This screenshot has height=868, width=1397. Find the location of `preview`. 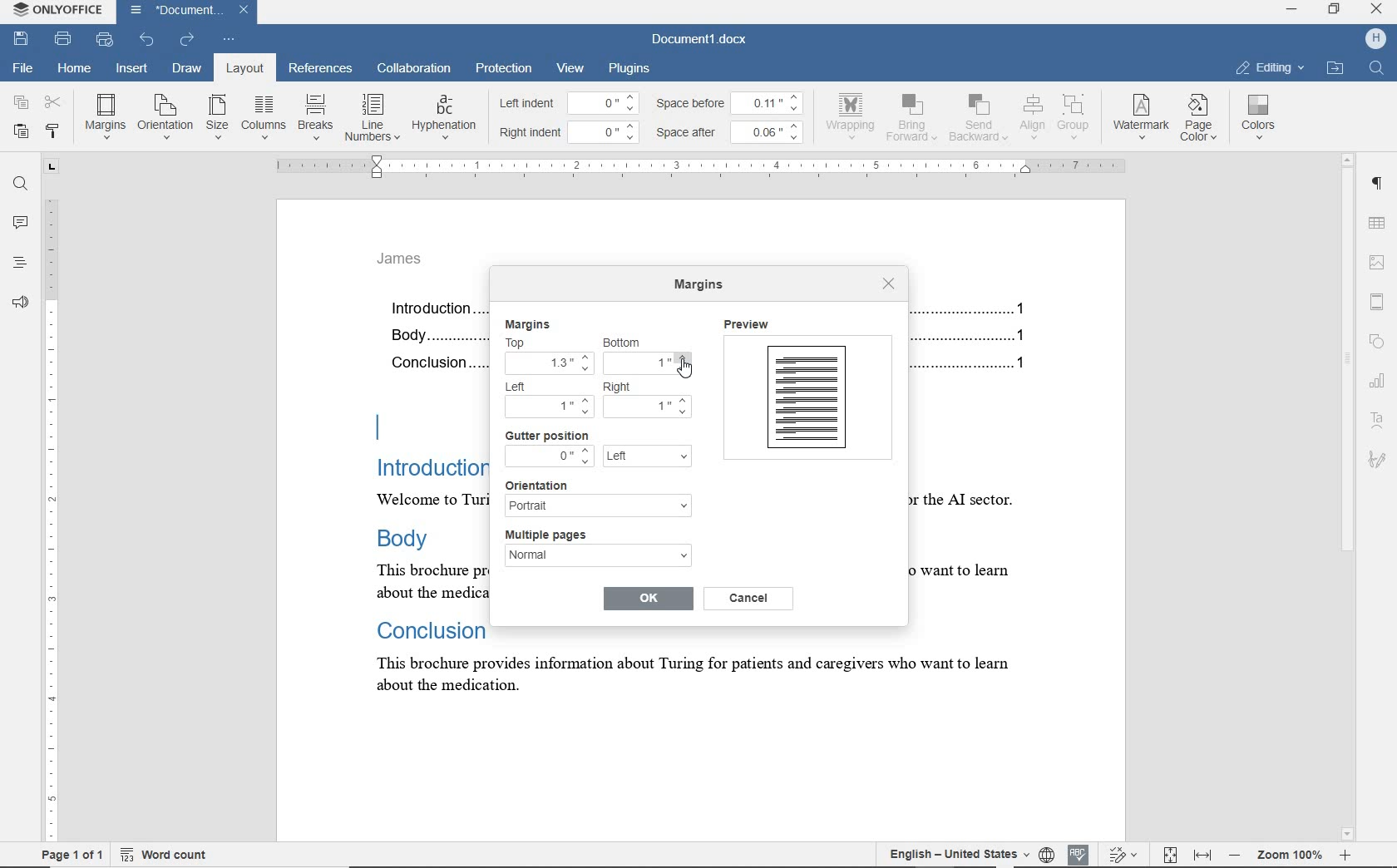

preview is located at coordinates (807, 393).